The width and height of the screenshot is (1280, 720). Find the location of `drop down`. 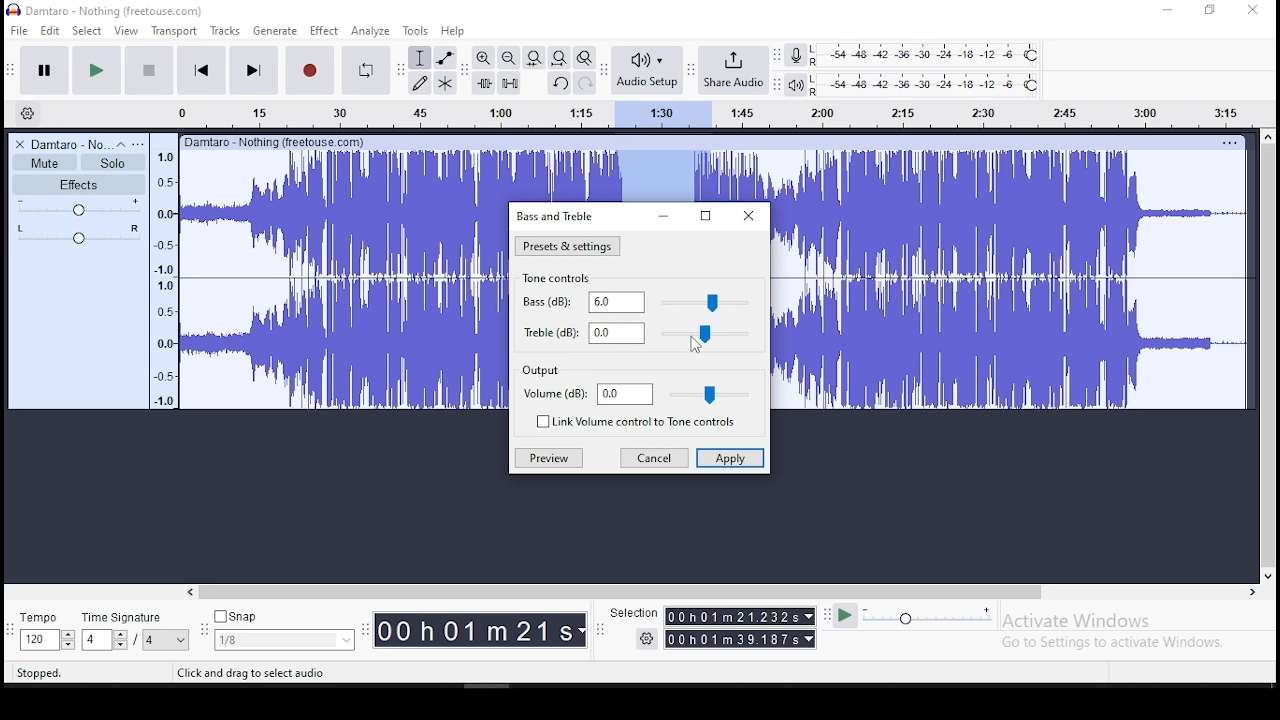

drop down is located at coordinates (807, 616).